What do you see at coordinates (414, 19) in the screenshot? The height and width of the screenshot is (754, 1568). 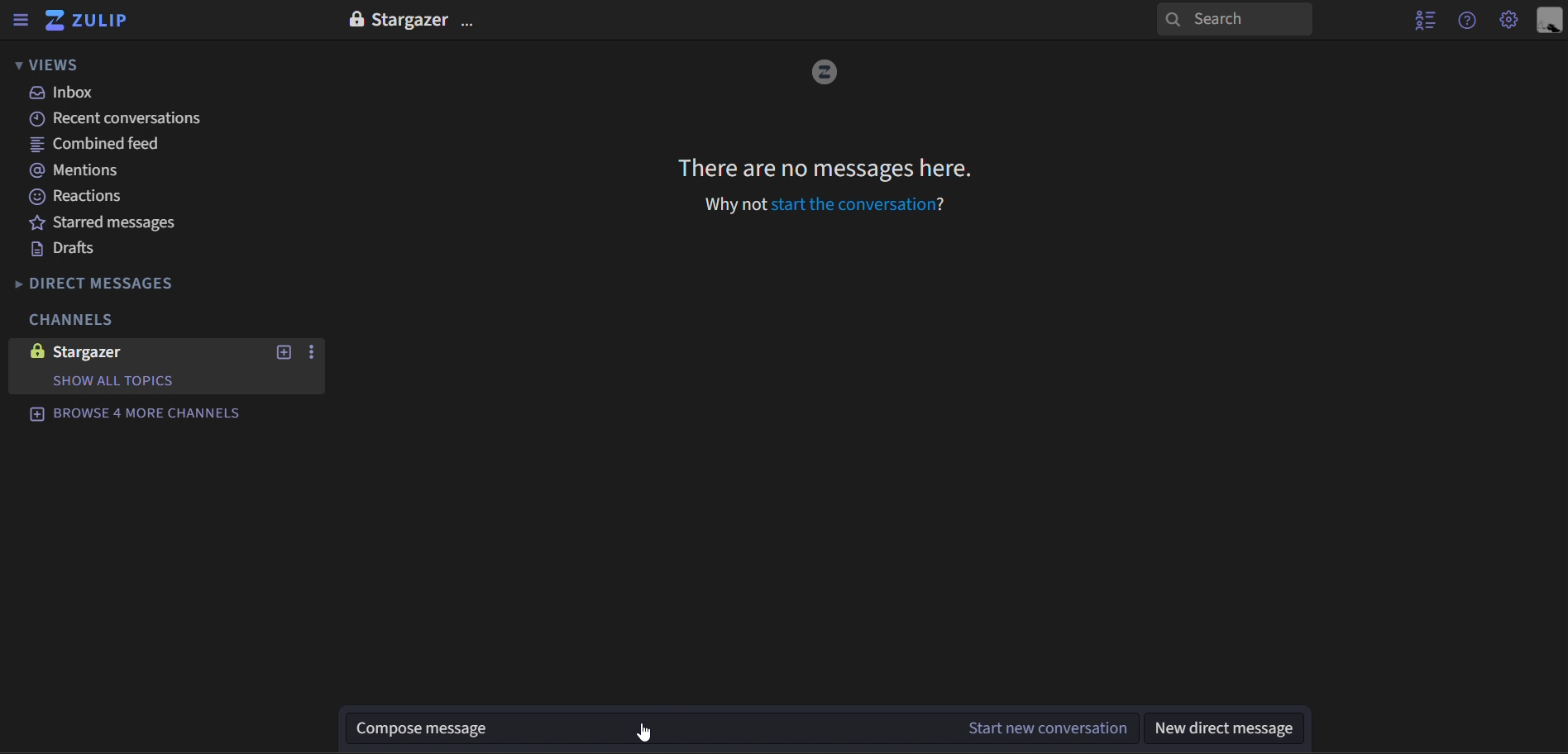 I see `Stargazer` at bounding box center [414, 19].